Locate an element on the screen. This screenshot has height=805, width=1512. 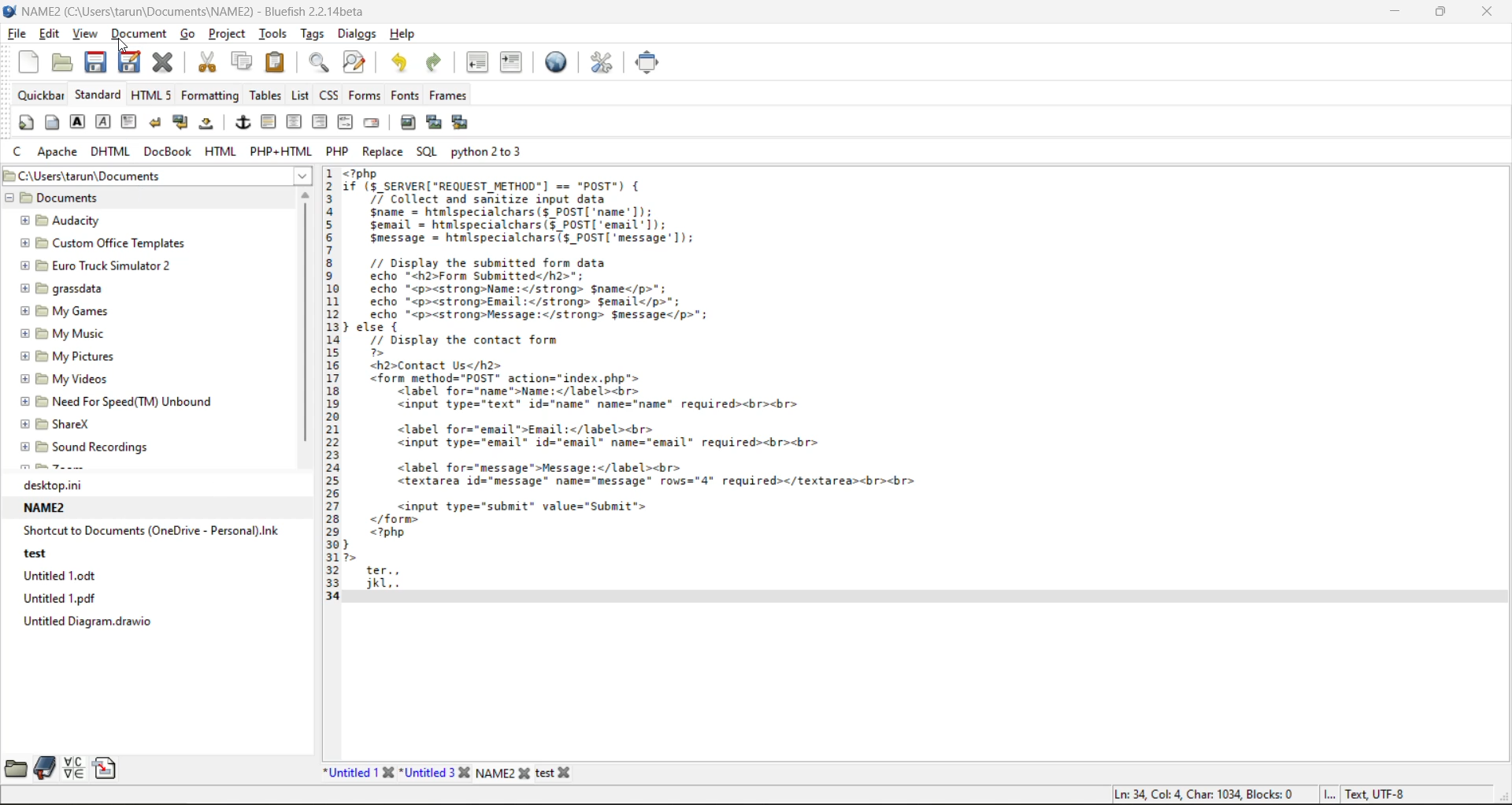
insert thumbnail is located at coordinates (433, 122).